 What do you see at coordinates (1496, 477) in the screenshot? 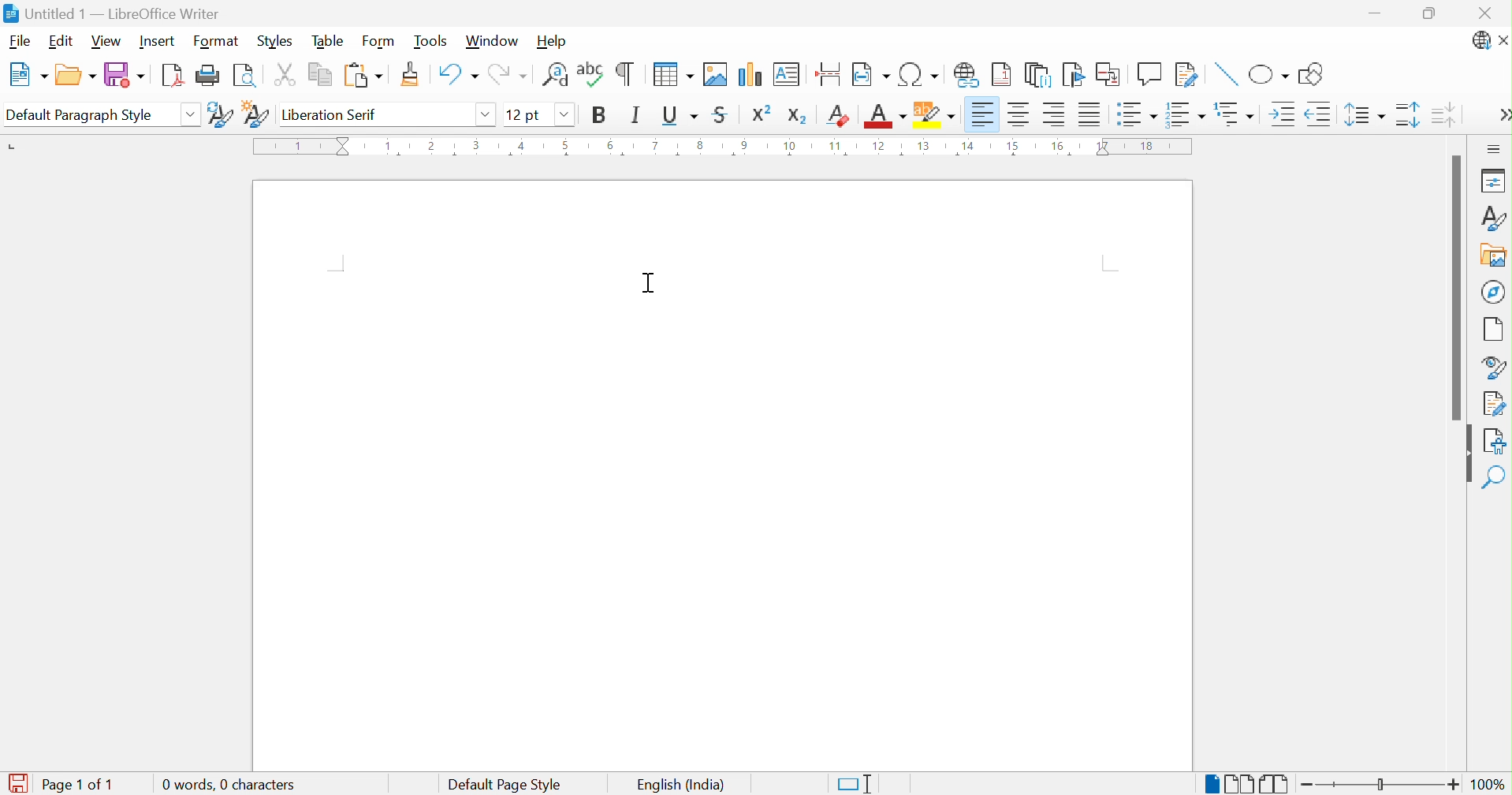
I see `Find` at bounding box center [1496, 477].